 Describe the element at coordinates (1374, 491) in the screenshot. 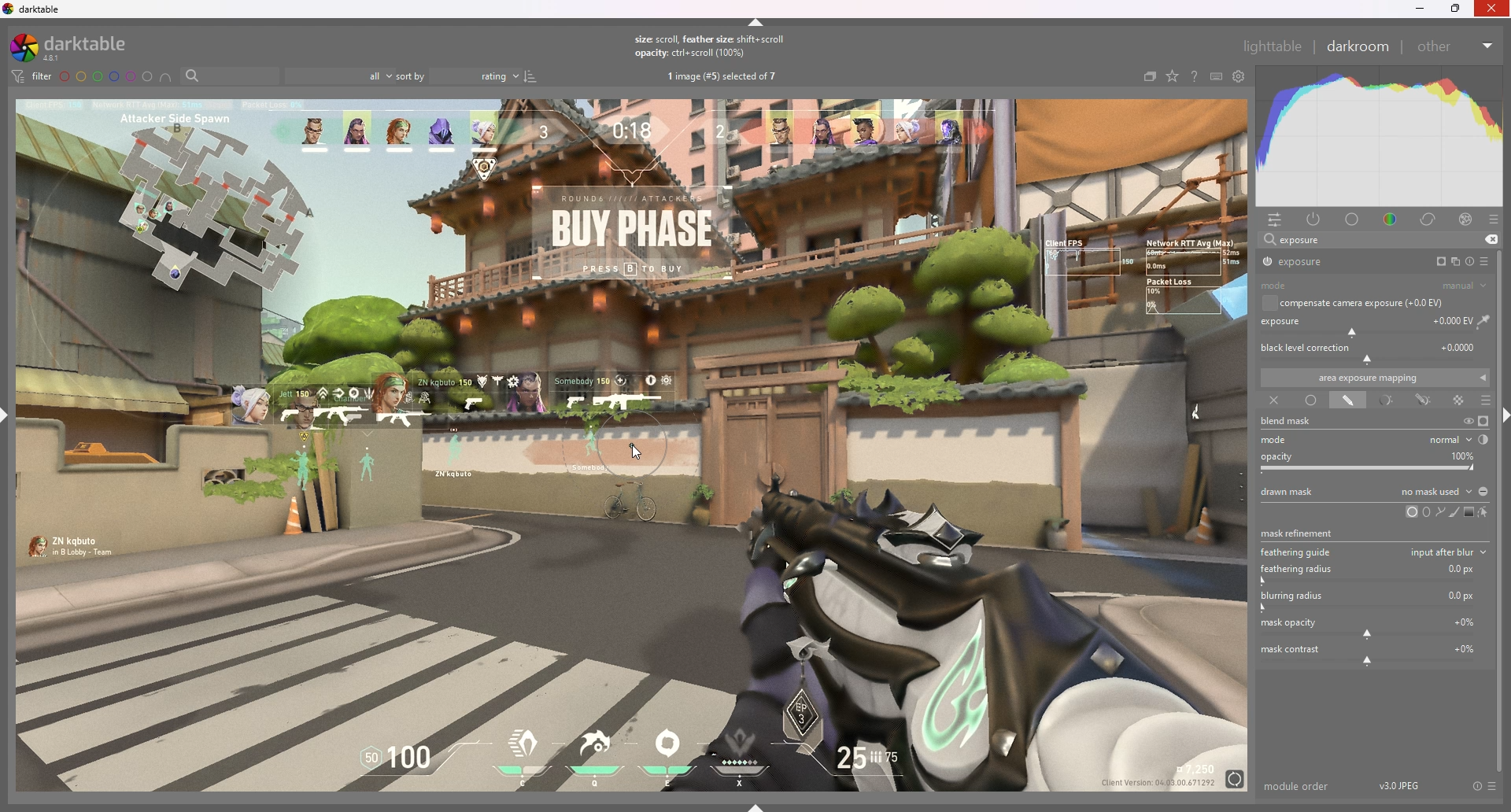

I see `drawn mask` at that location.